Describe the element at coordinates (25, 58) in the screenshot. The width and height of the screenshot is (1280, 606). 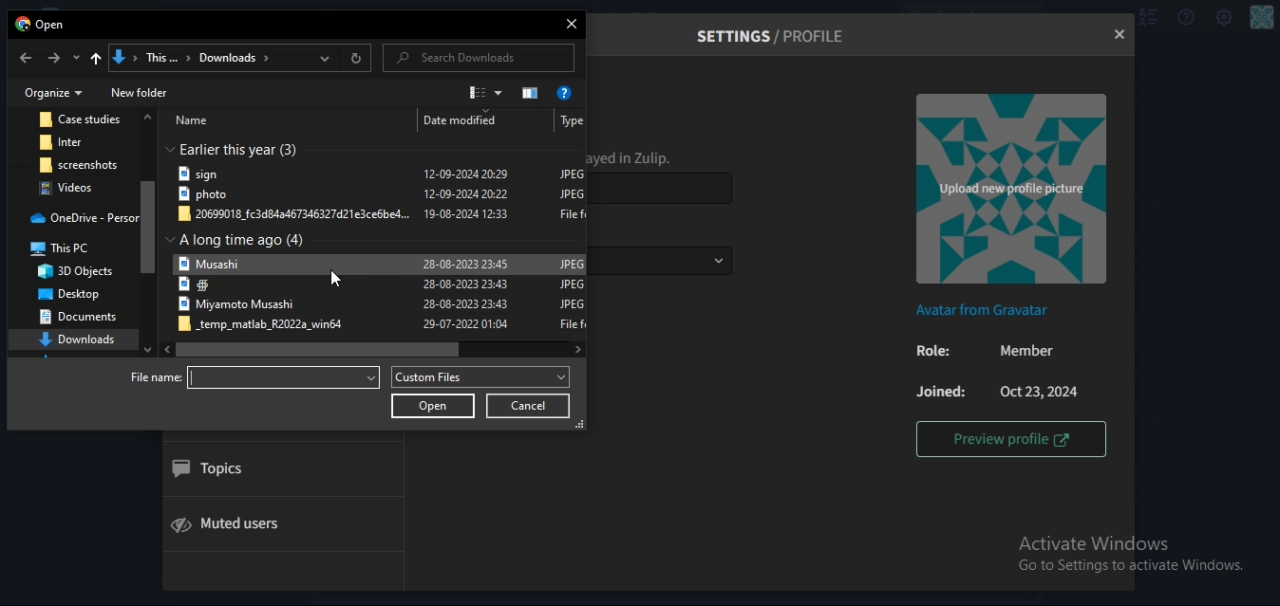
I see `back` at that location.